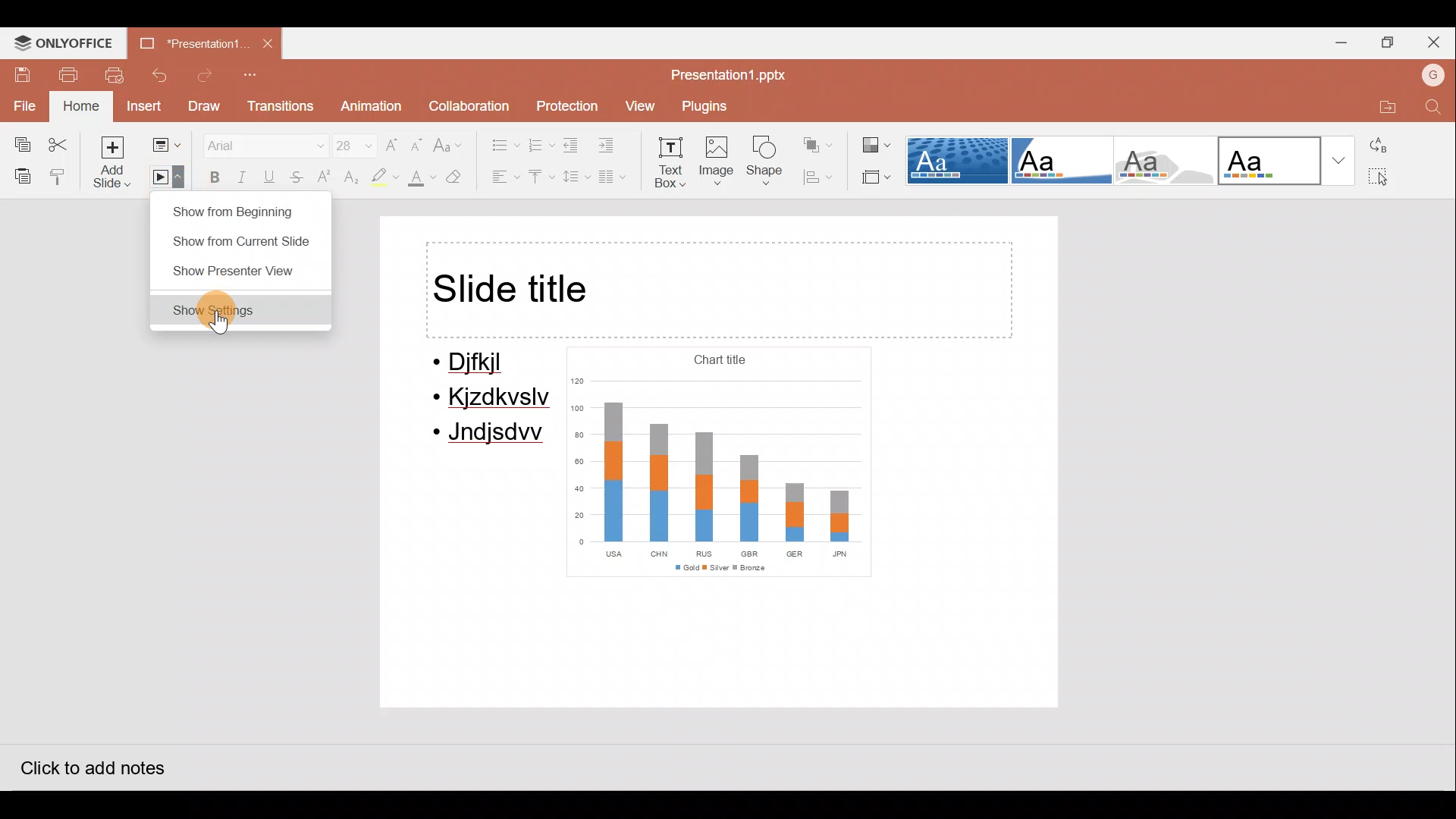 Image resolution: width=1456 pixels, height=819 pixels. What do you see at coordinates (58, 74) in the screenshot?
I see `Print file` at bounding box center [58, 74].